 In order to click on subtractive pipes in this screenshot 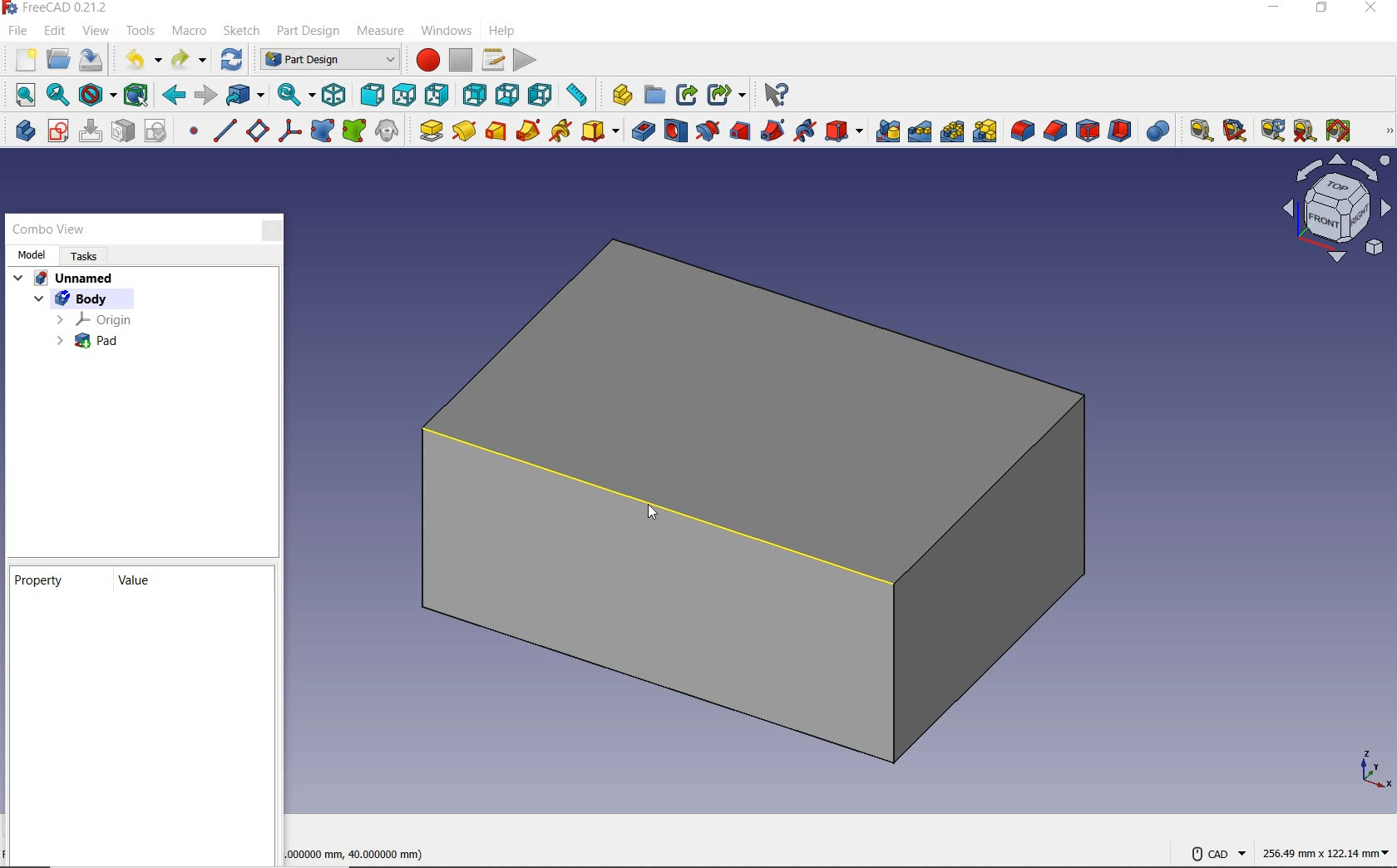, I will do `click(771, 131)`.